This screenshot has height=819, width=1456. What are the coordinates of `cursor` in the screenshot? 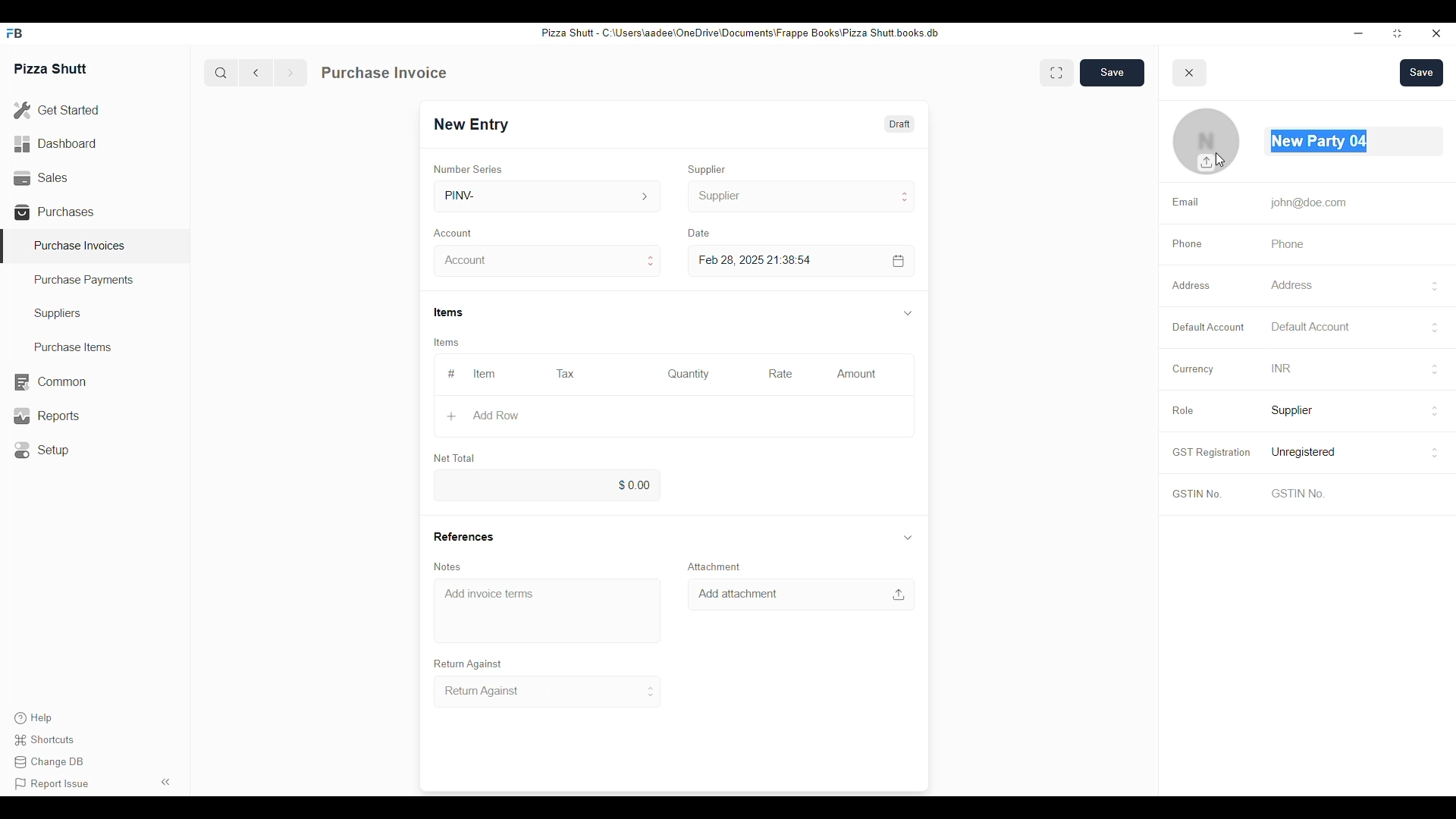 It's located at (1222, 160).